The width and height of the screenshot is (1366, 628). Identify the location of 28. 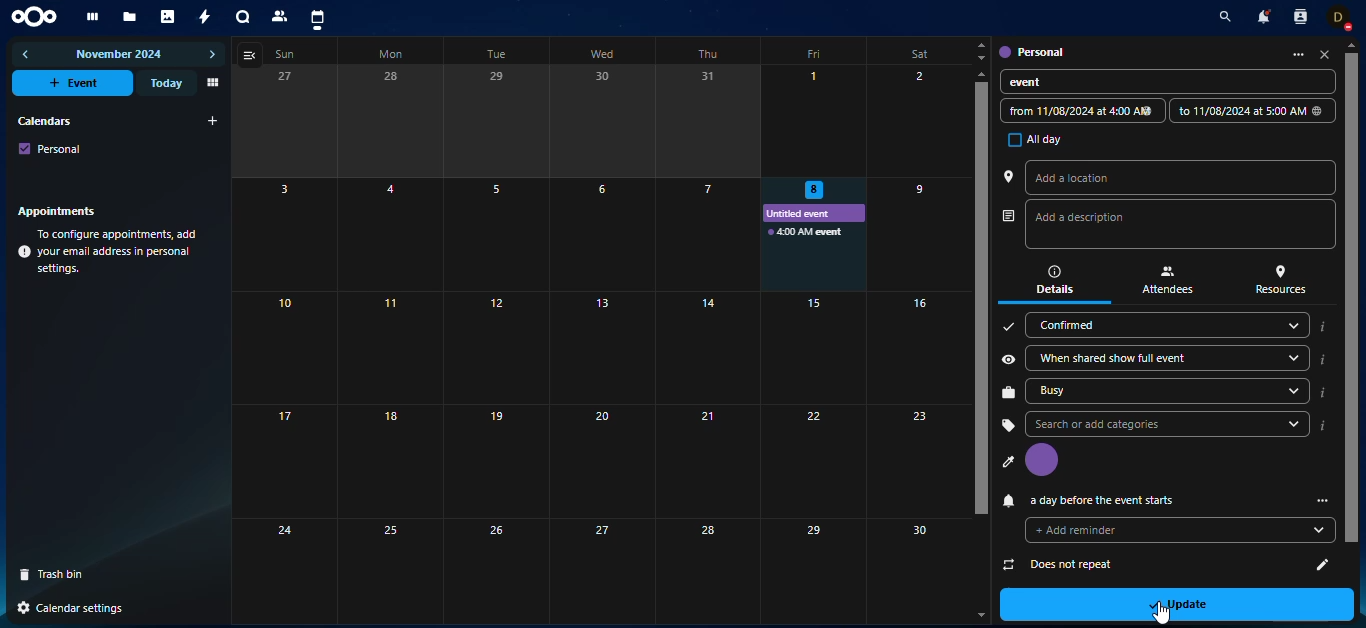
(707, 570).